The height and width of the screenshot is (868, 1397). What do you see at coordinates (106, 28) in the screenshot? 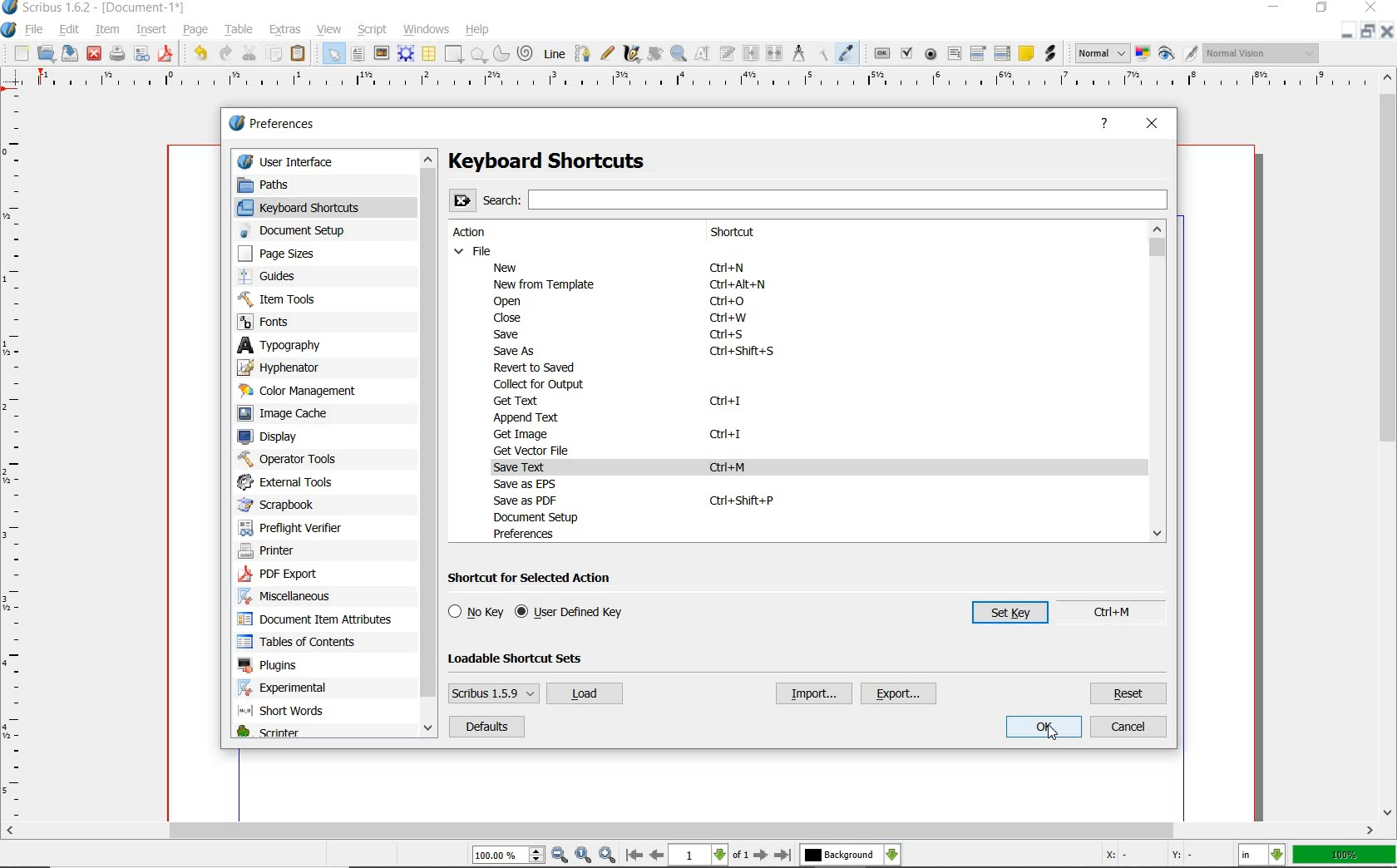
I see `item` at bounding box center [106, 28].